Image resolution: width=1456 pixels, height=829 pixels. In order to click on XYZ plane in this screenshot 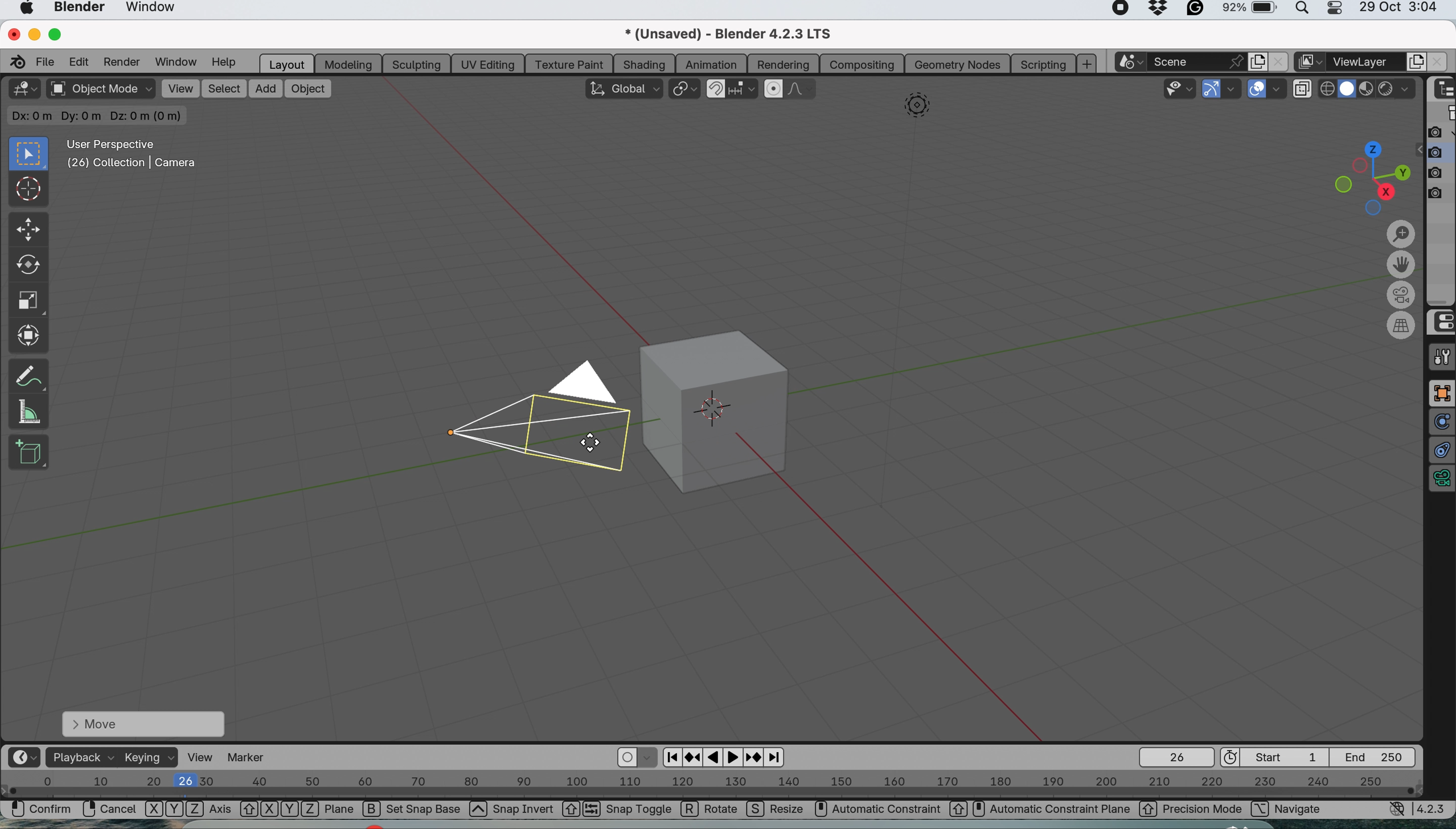, I will do `click(297, 810)`.